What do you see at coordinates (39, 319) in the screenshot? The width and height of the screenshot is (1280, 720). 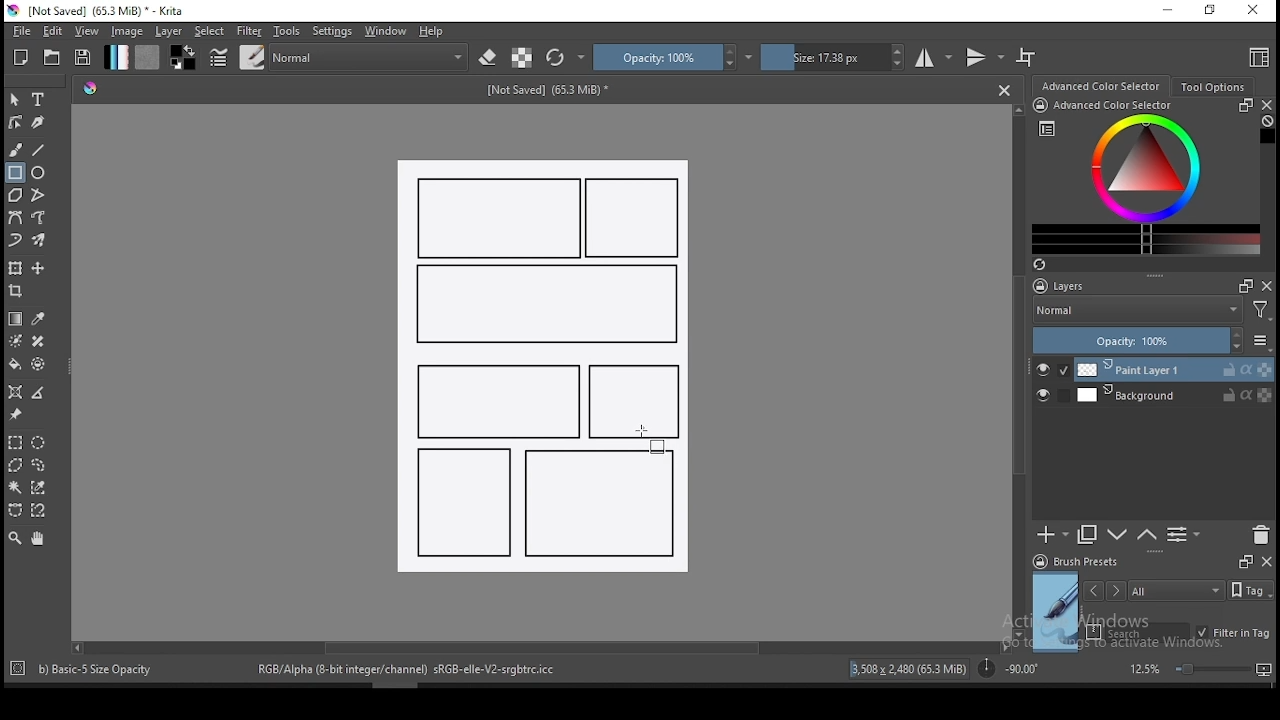 I see `pick a color from image and current layer` at bounding box center [39, 319].